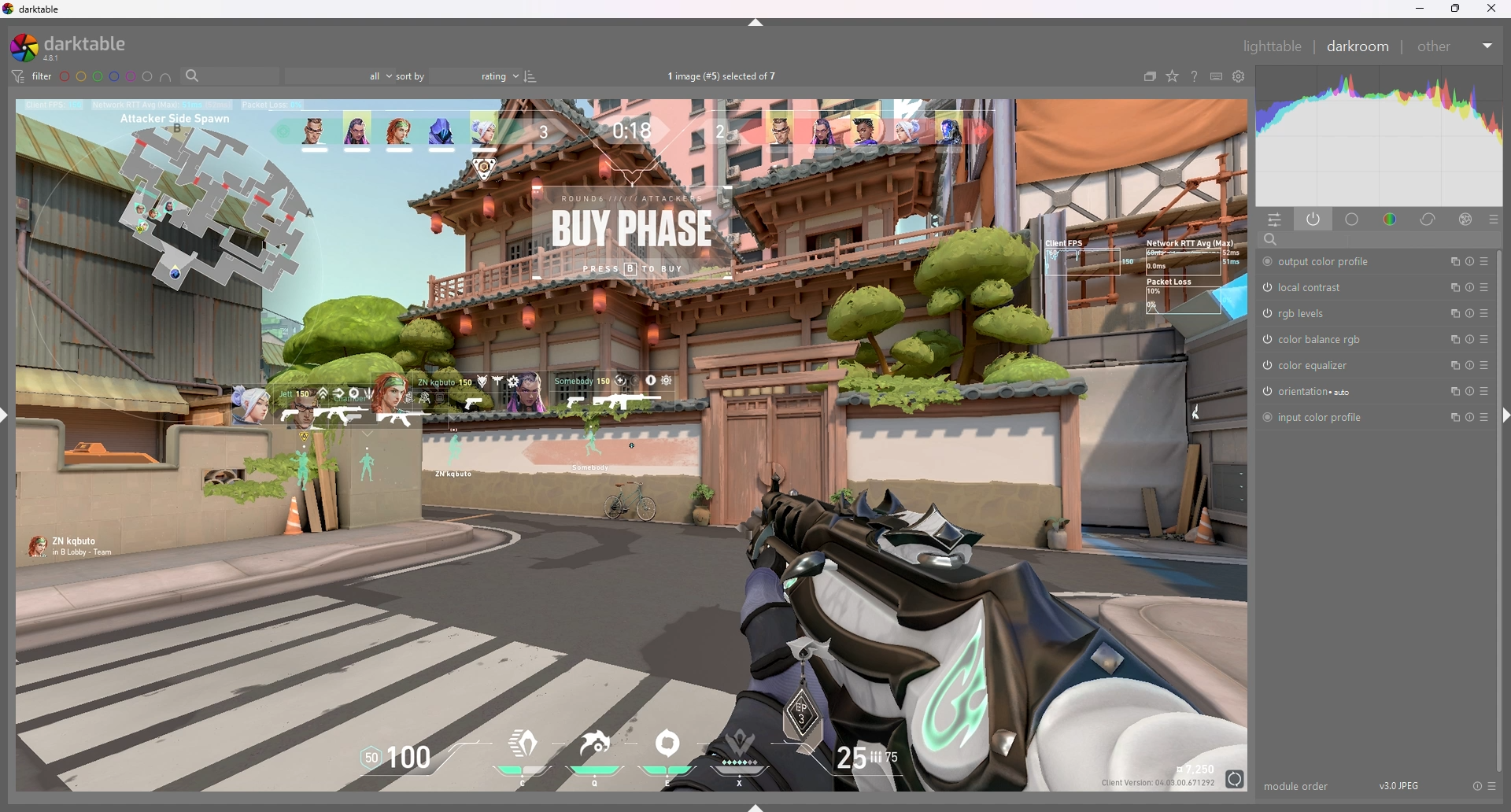 The height and width of the screenshot is (812, 1511). What do you see at coordinates (1490, 9) in the screenshot?
I see `close` at bounding box center [1490, 9].